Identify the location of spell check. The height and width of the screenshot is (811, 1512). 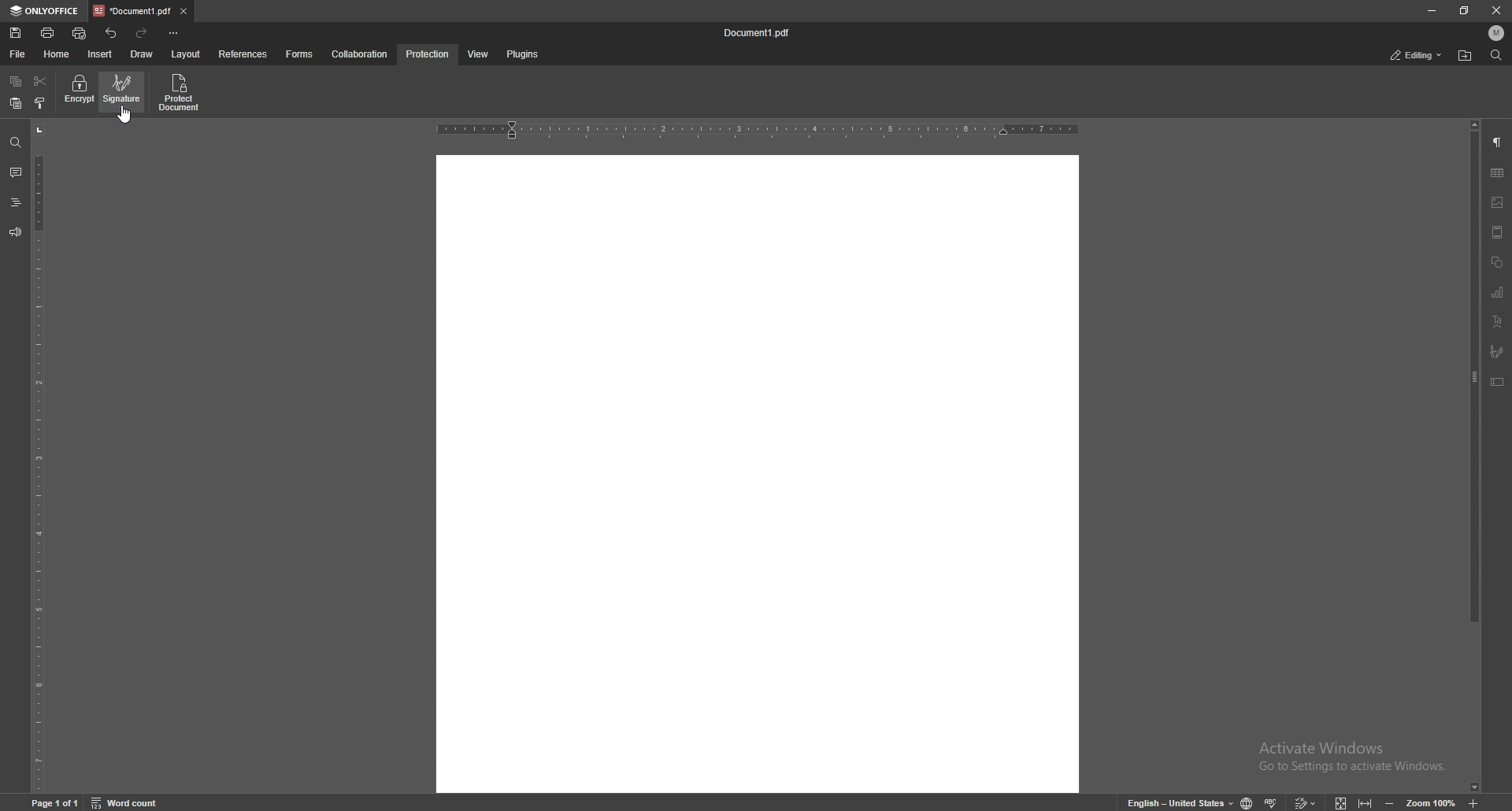
(1273, 799).